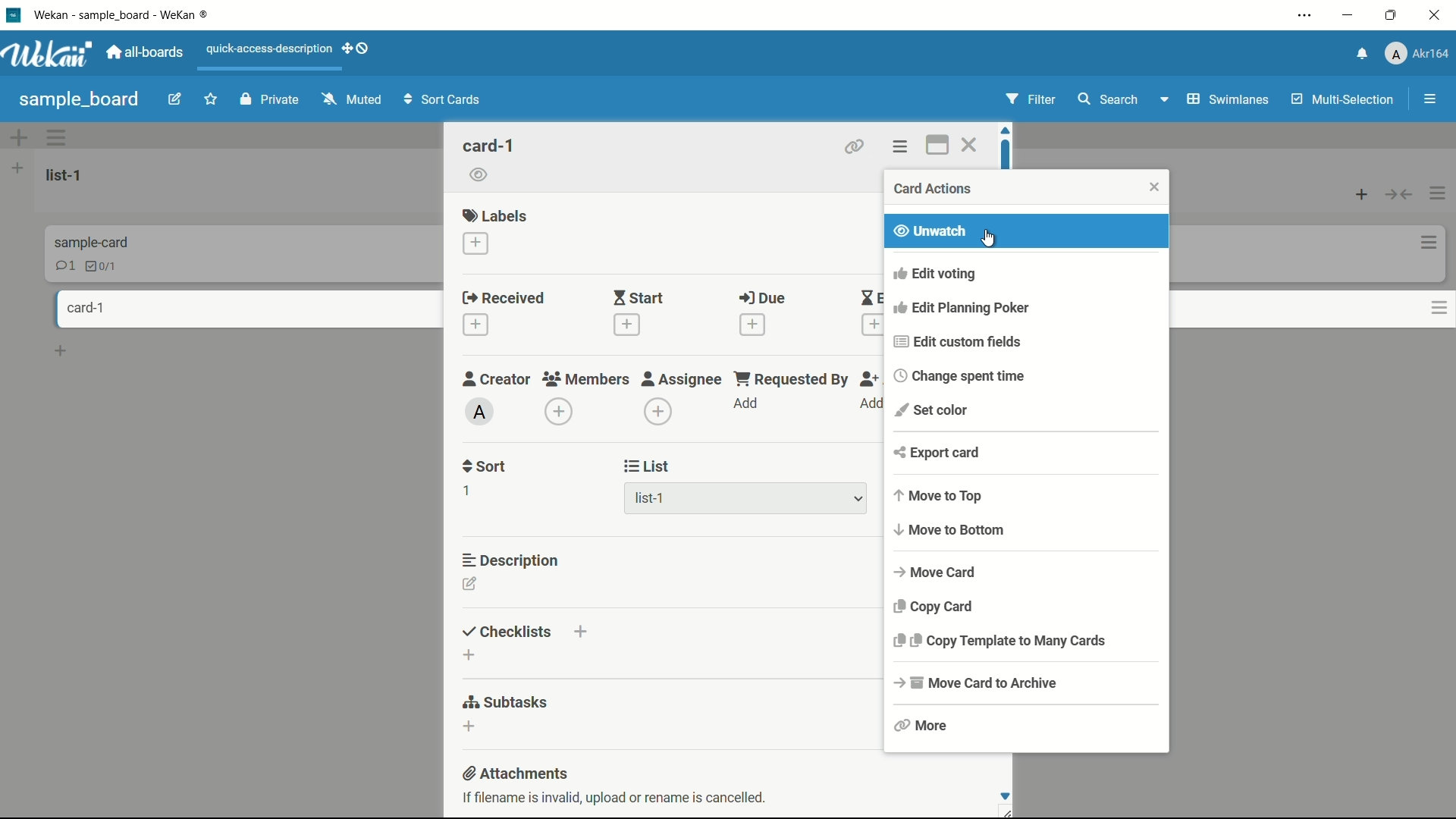 This screenshot has width=1456, height=819. What do you see at coordinates (469, 655) in the screenshot?
I see `add checklist` at bounding box center [469, 655].